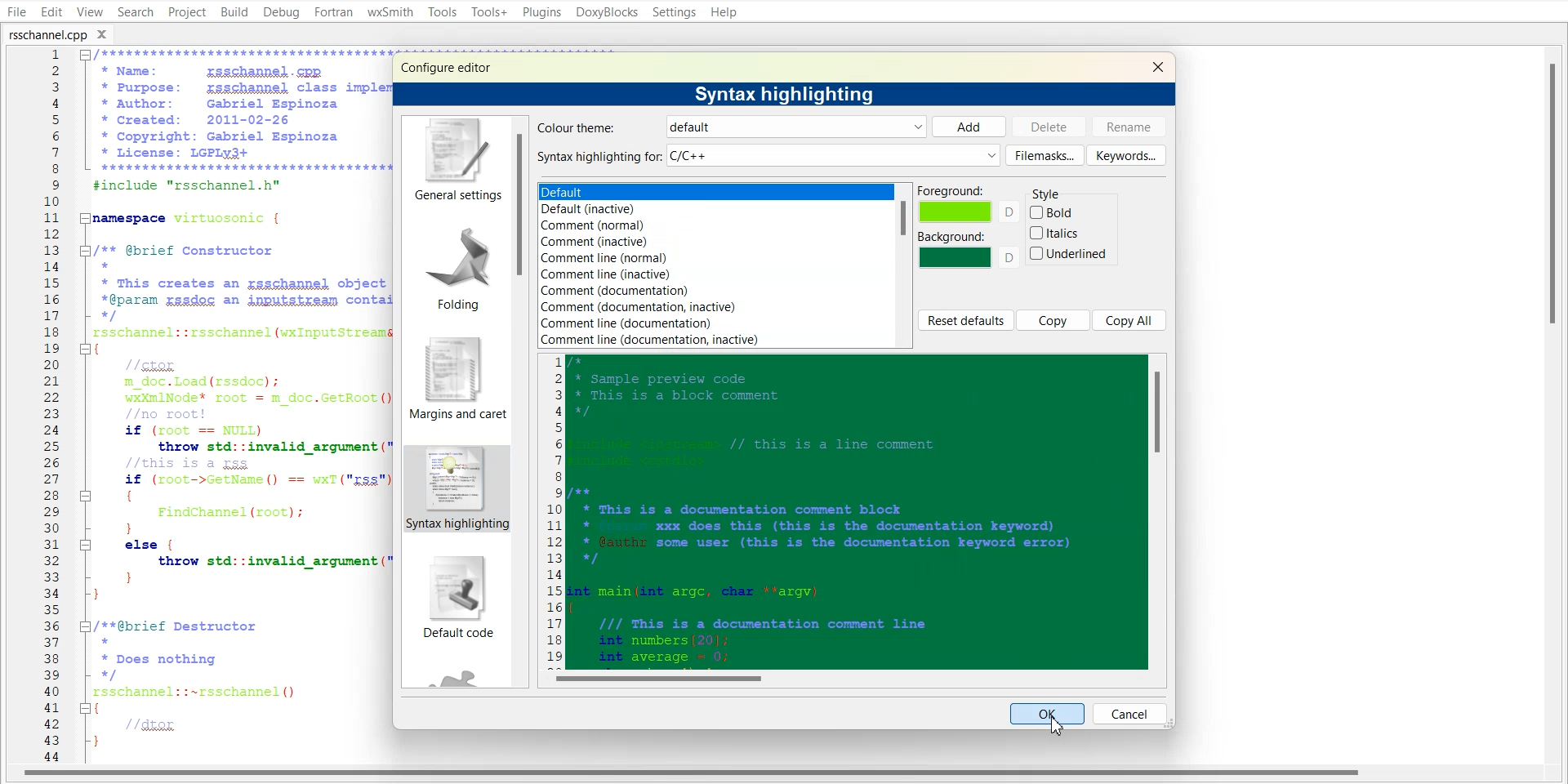 The width and height of the screenshot is (1568, 784). I want to click on Copy, so click(1053, 320).